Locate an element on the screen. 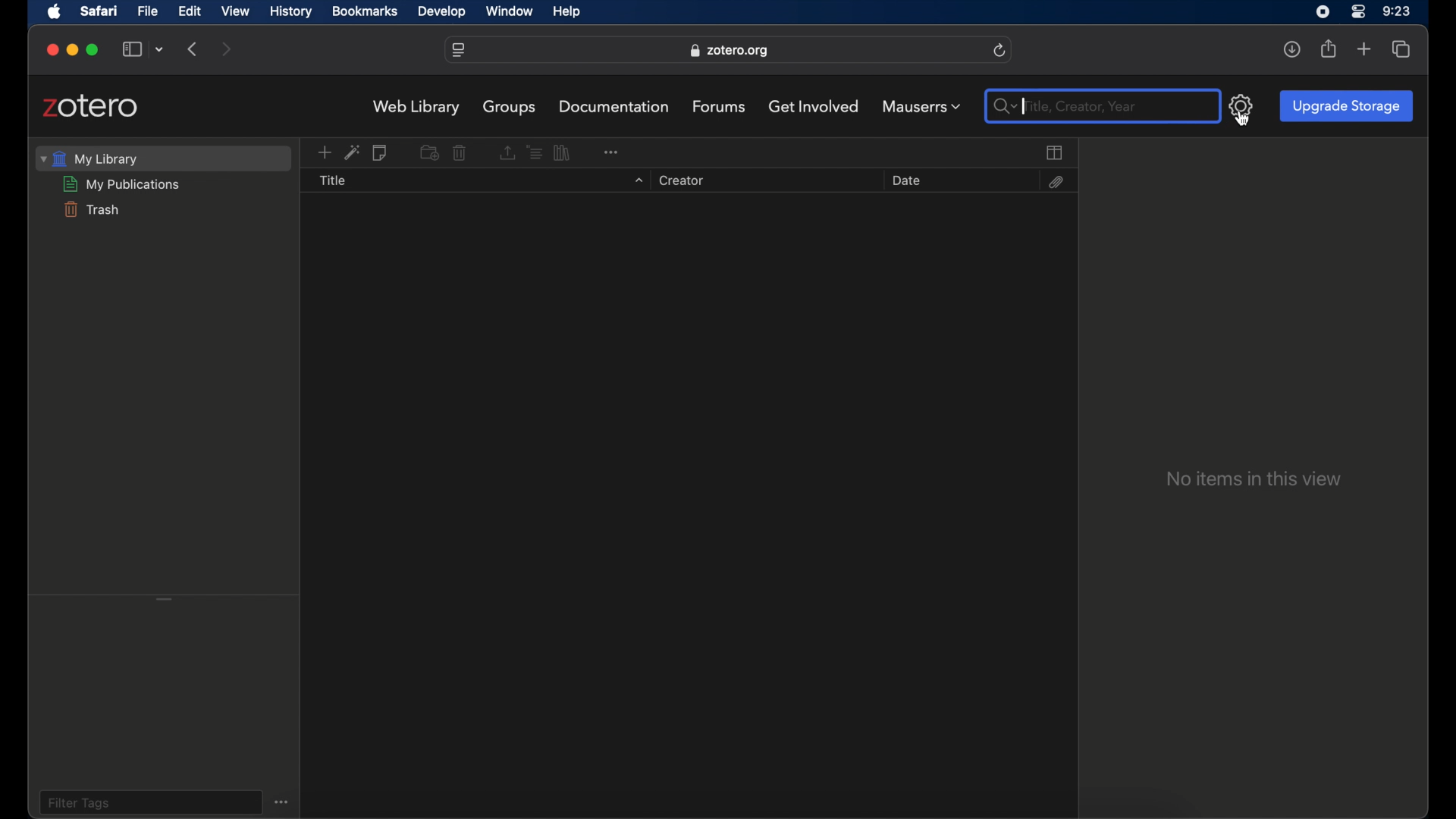  trash is located at coordinates (90, 209).